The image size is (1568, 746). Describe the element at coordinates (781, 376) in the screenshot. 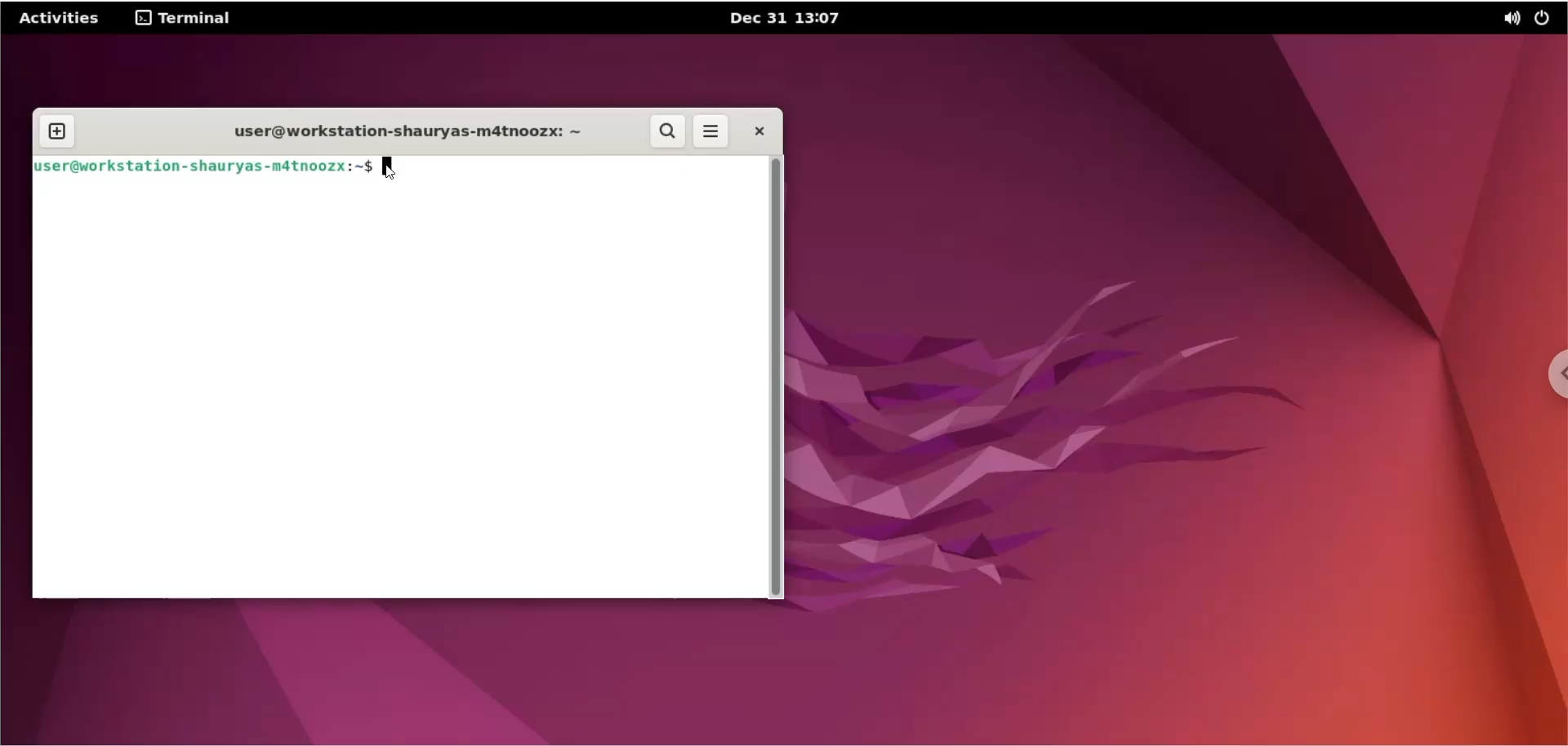

I see `scrollbar` at that location.